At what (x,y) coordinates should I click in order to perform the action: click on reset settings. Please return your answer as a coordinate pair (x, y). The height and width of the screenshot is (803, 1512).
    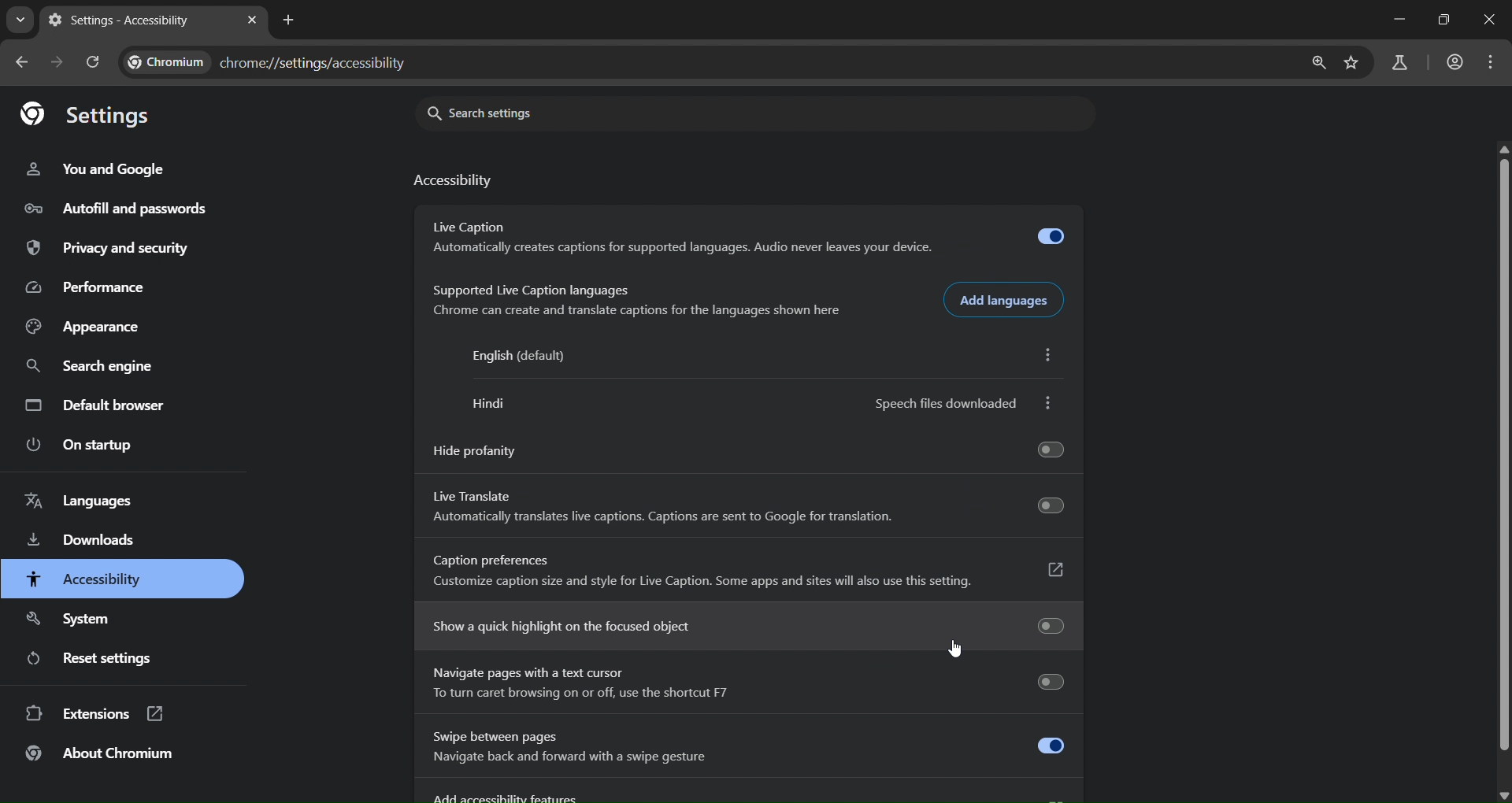
    Looking at the image, I should click on (97, 659).